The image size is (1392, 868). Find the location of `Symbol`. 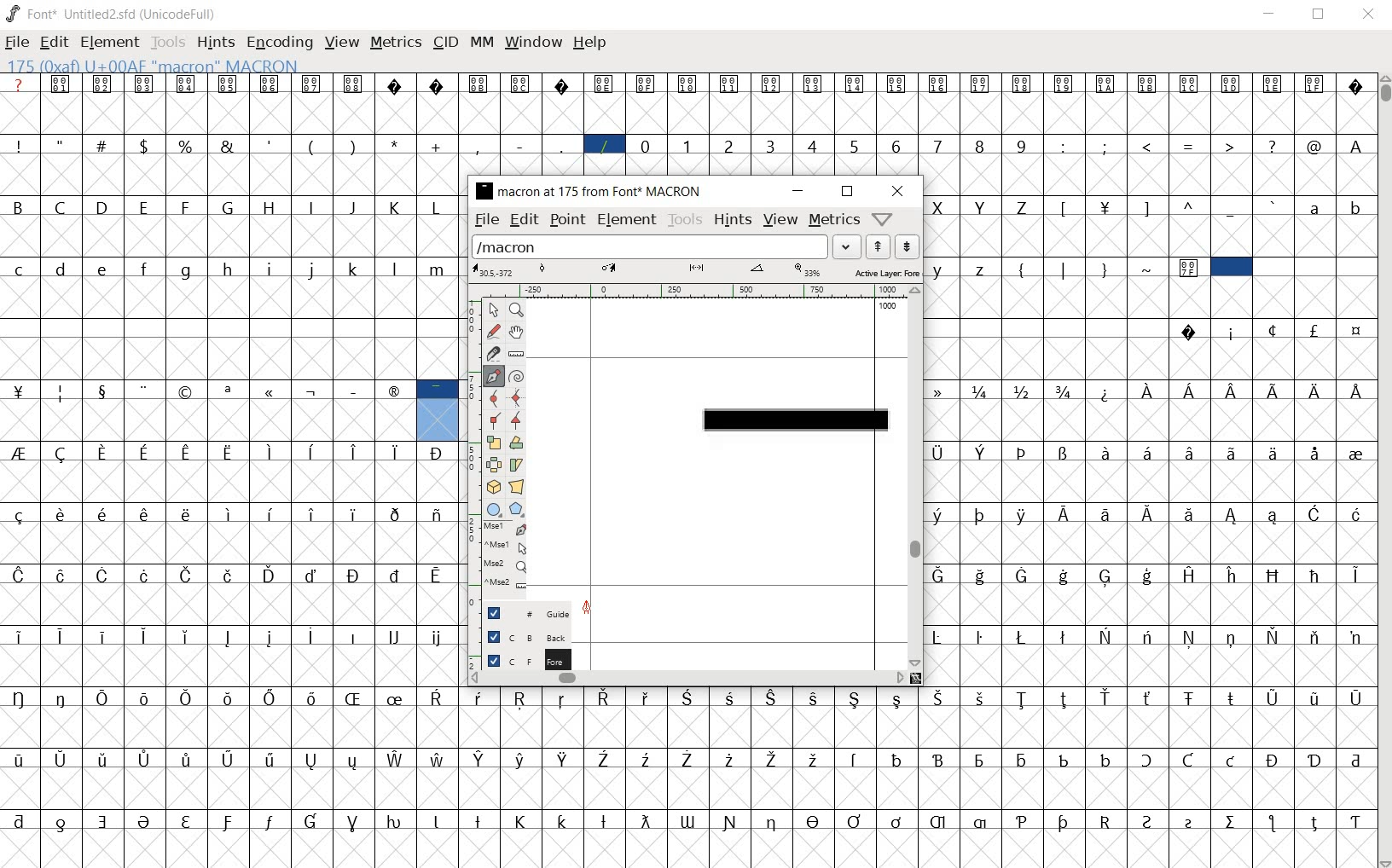

Symbol is located at coordinates (604, 84).